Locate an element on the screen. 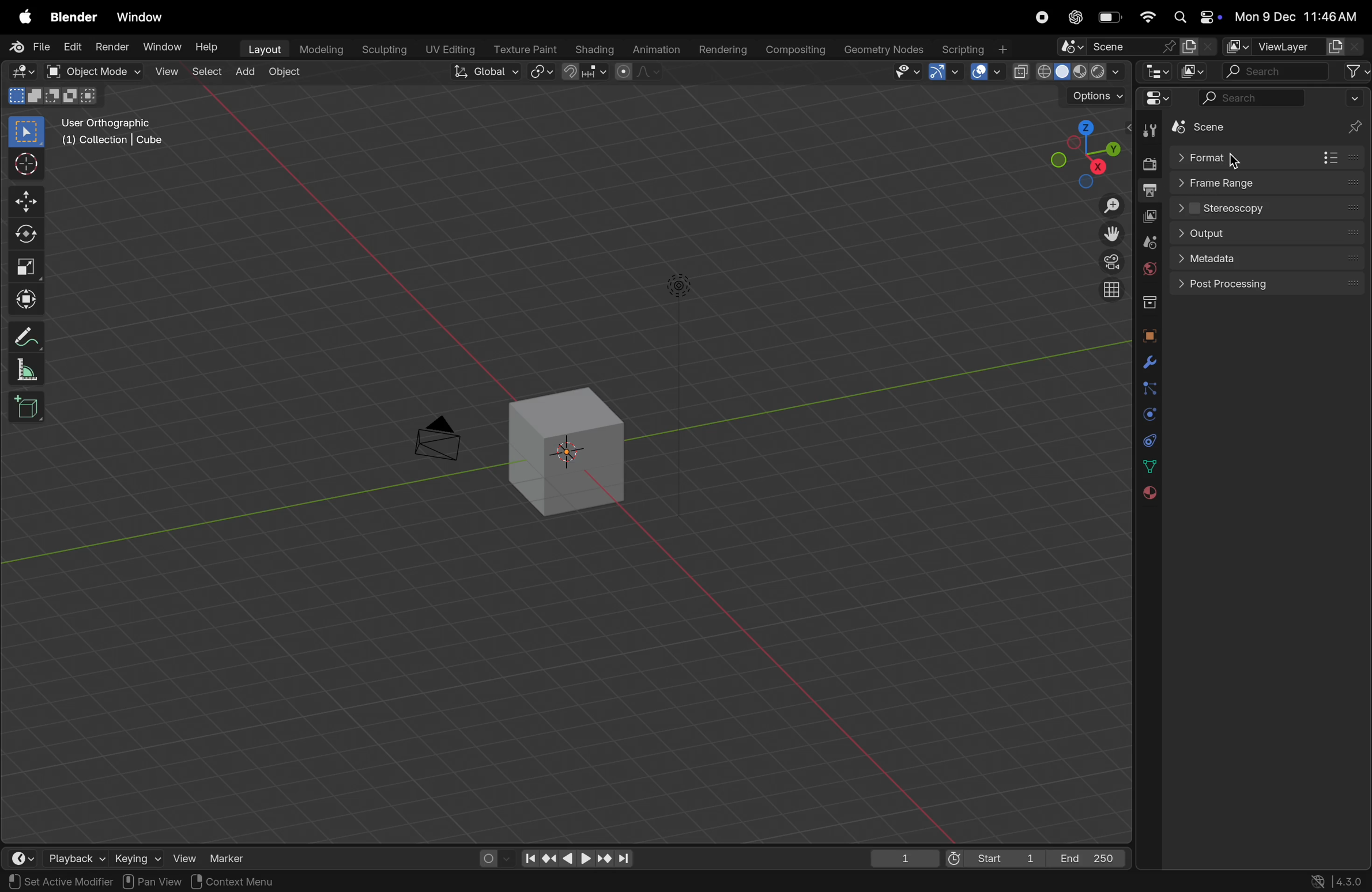 Image resolution: width=1372 pixels, height=892 pixels. tool is located at coordinates (1150, 131).